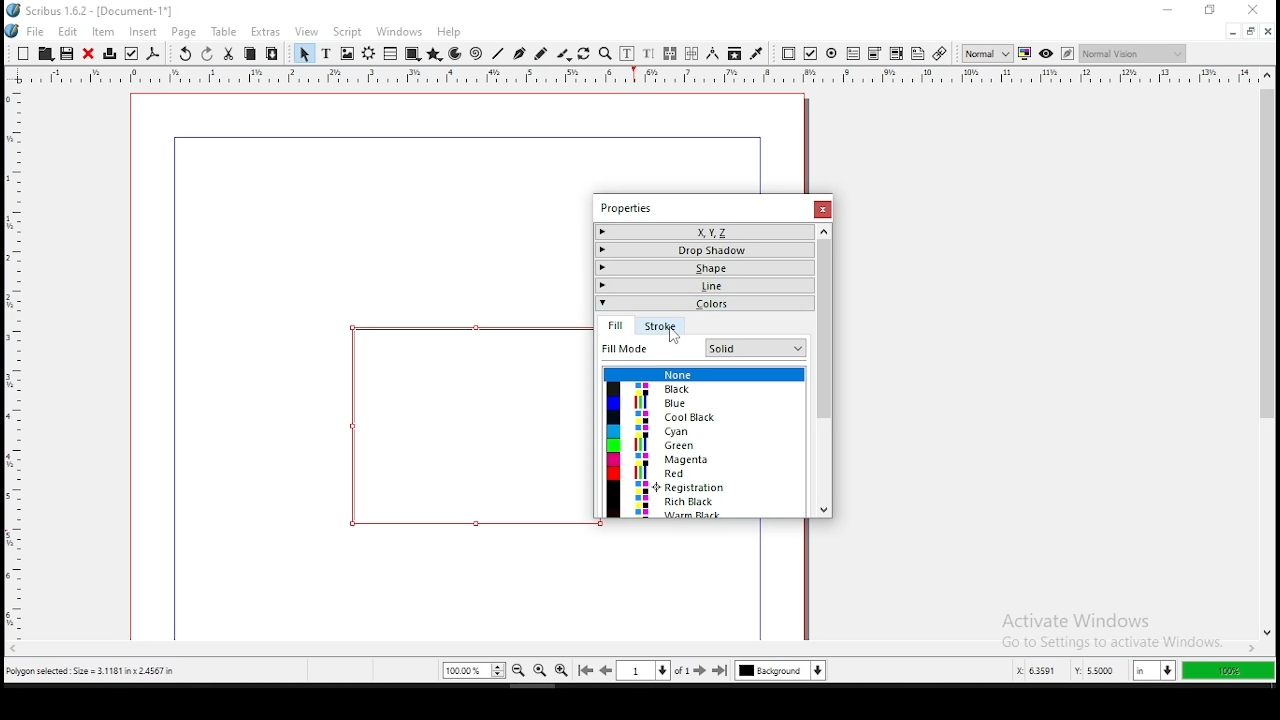 The image size is (1280, 720). I want to click on edit contents of frame, so click(627, 54).